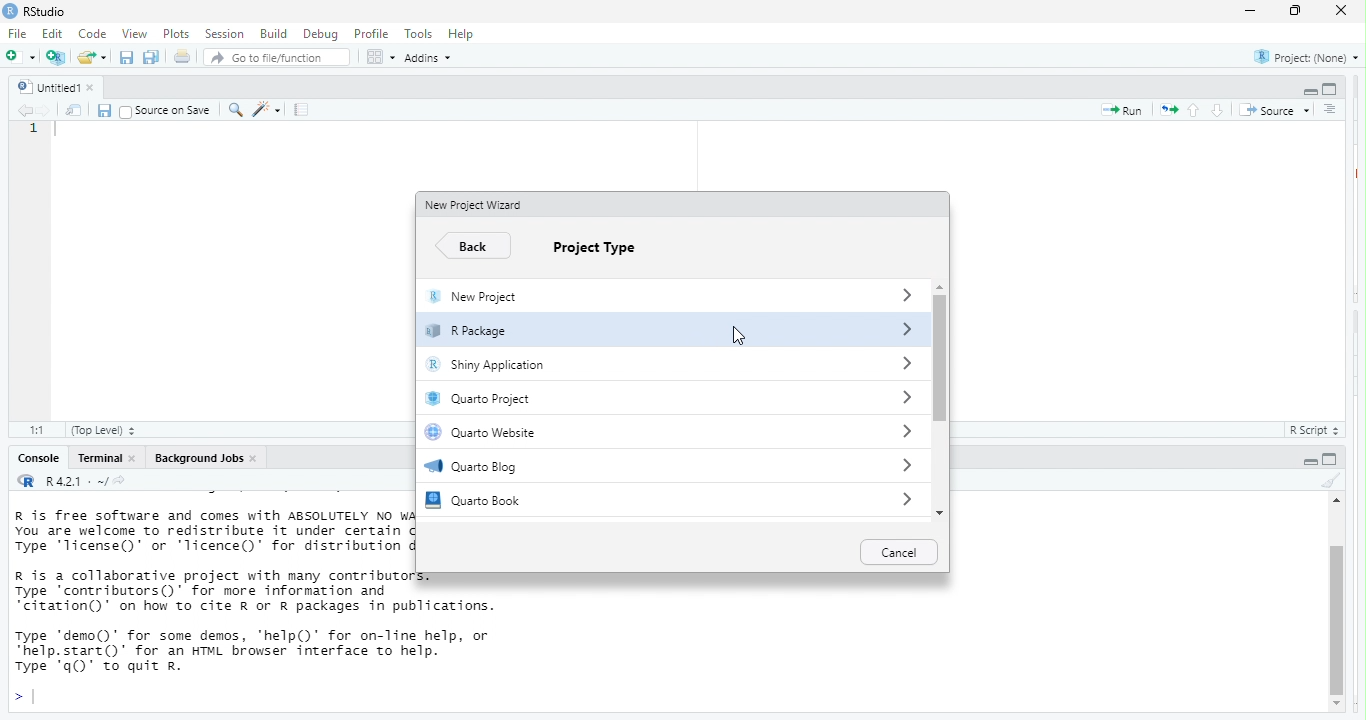 The width and height of the screenshot is (1366, 720). I want to click on Console, so click(35, 459).